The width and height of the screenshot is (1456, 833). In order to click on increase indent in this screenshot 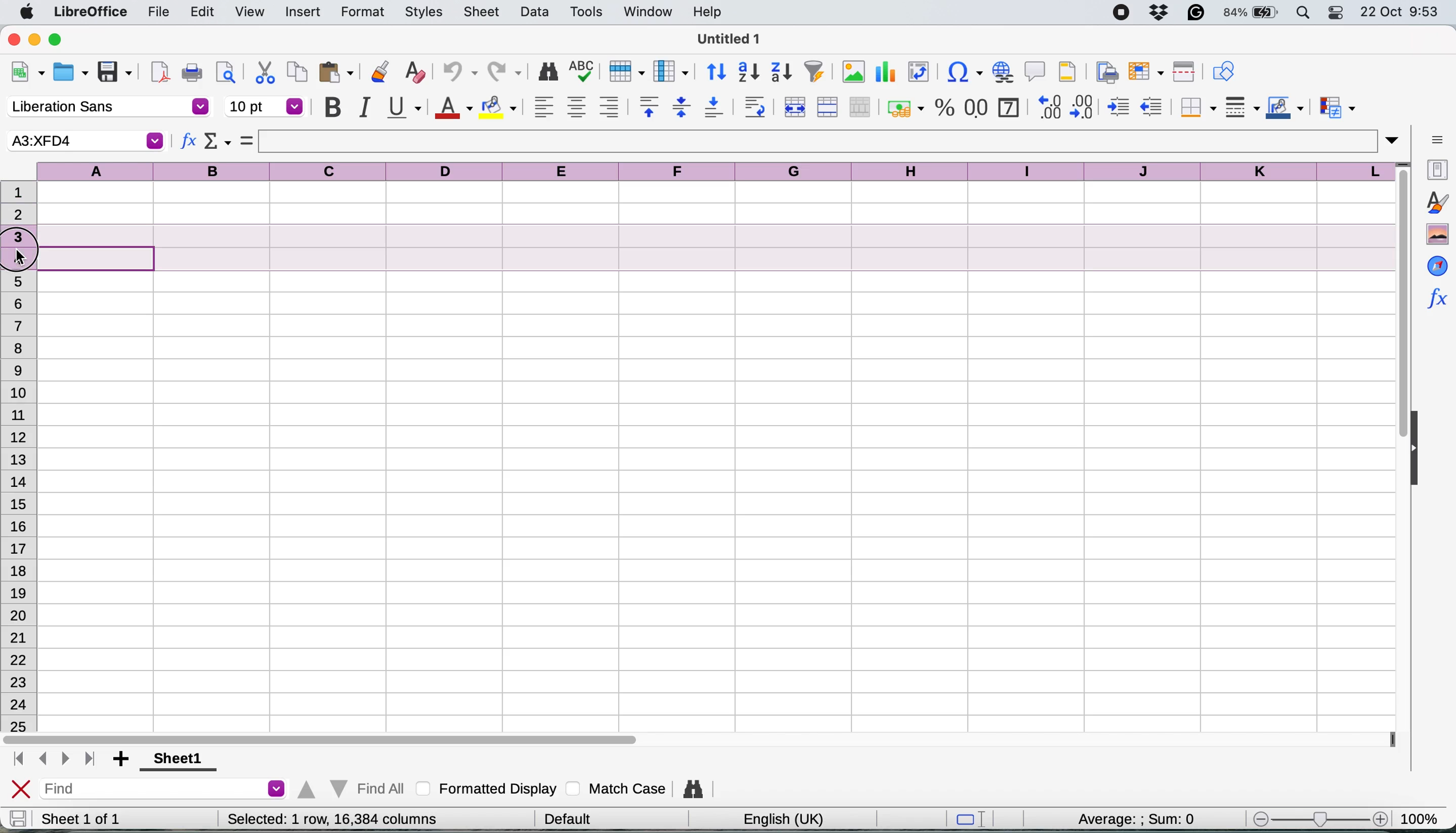, I will do `click(1120, 107)`.